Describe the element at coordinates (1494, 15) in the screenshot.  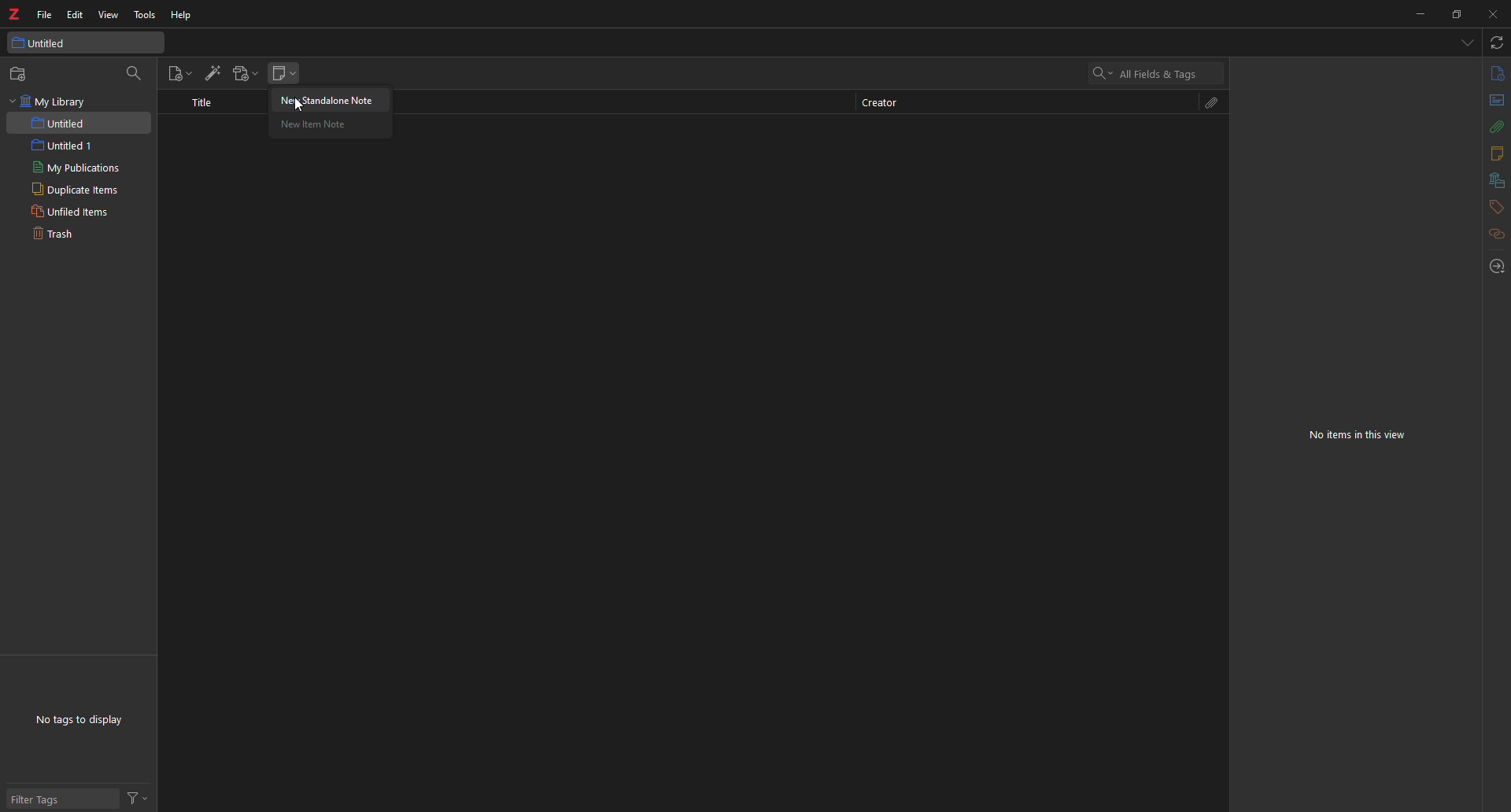
I see `close` at that location.